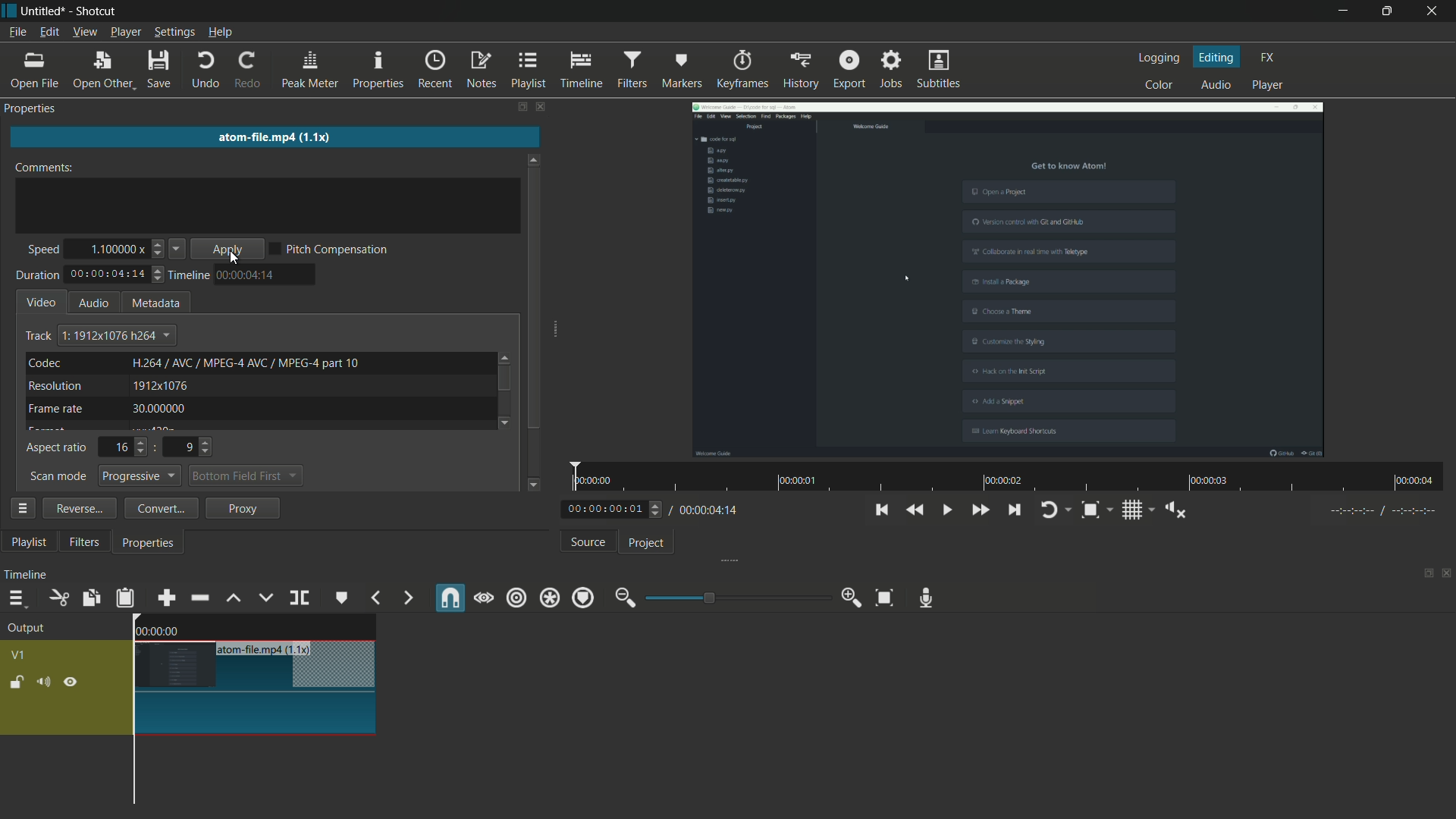 This screenshot has height=819, width=1456. I want to click on v1, so click(20, 656).